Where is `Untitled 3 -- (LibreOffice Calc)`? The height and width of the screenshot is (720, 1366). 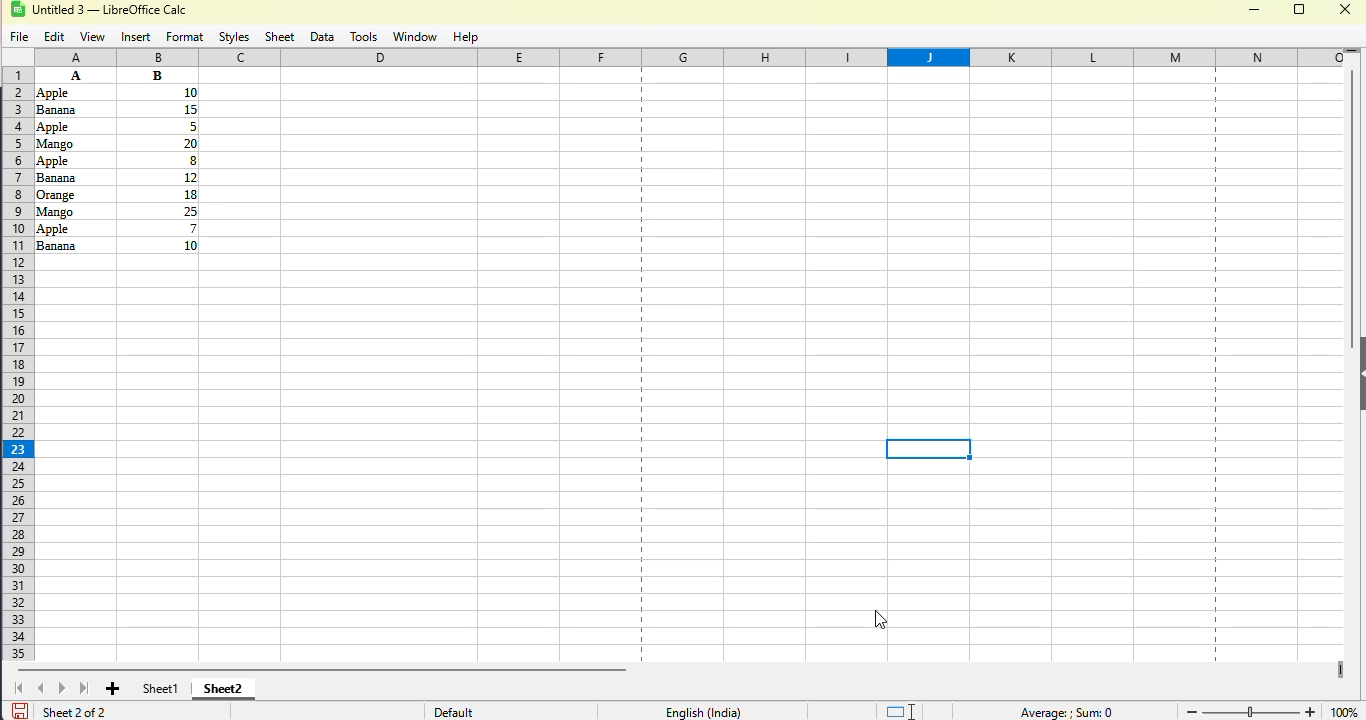
Untitled 3 -- (LibreOffice Calc) is located at coordinates (114, 11).